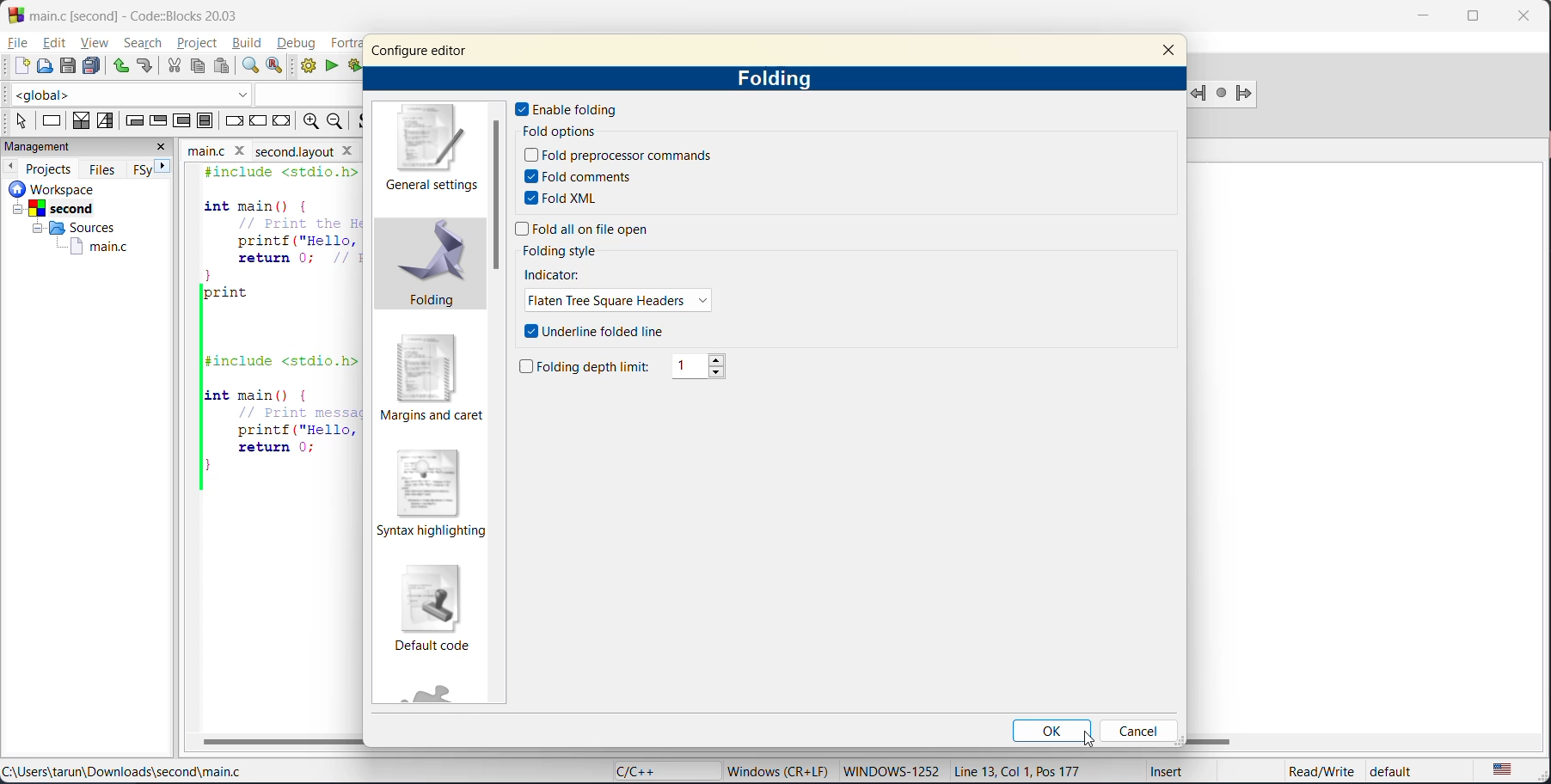  What do you see at coordinates (133, 119) in the screenshot?
I see `entry condition loop` at bounding box center [133, 119].